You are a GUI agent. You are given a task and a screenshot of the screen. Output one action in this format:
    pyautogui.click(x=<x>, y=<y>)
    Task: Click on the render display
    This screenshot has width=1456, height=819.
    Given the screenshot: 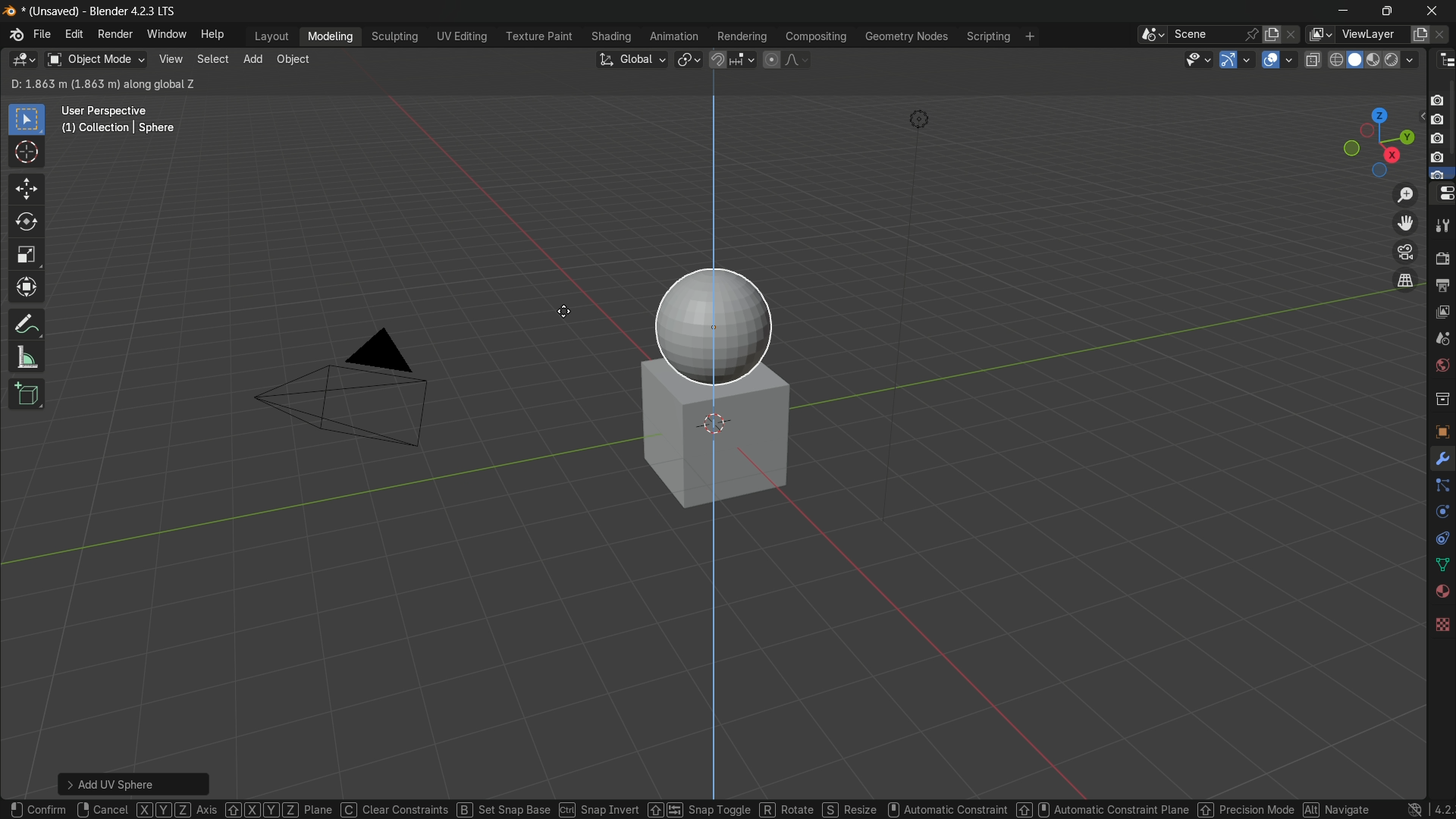 What is the action you would take?
    pyautogui.click(x=1401, y=58)
    